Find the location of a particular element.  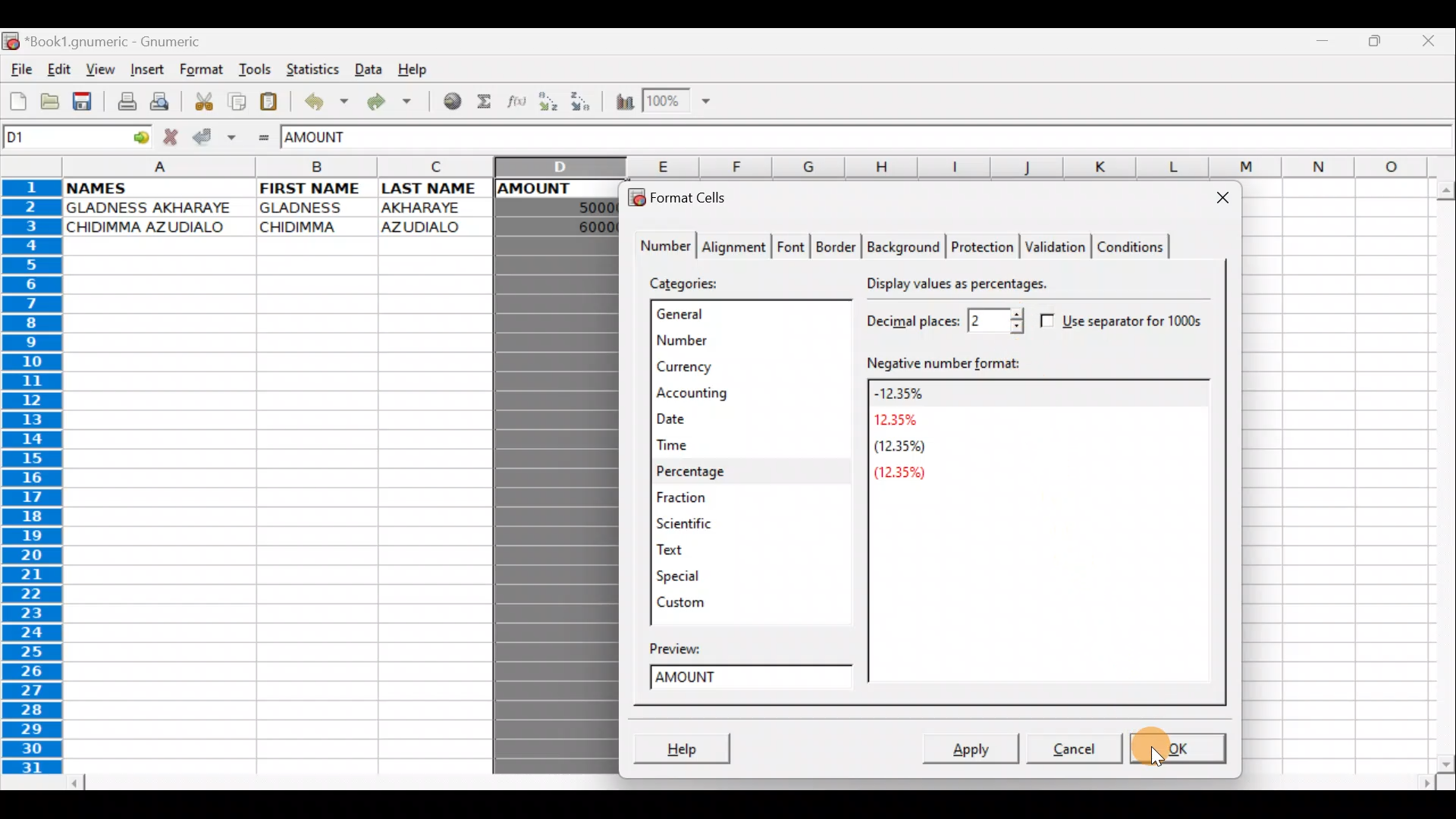

12% is located at coordinates (899, 420).